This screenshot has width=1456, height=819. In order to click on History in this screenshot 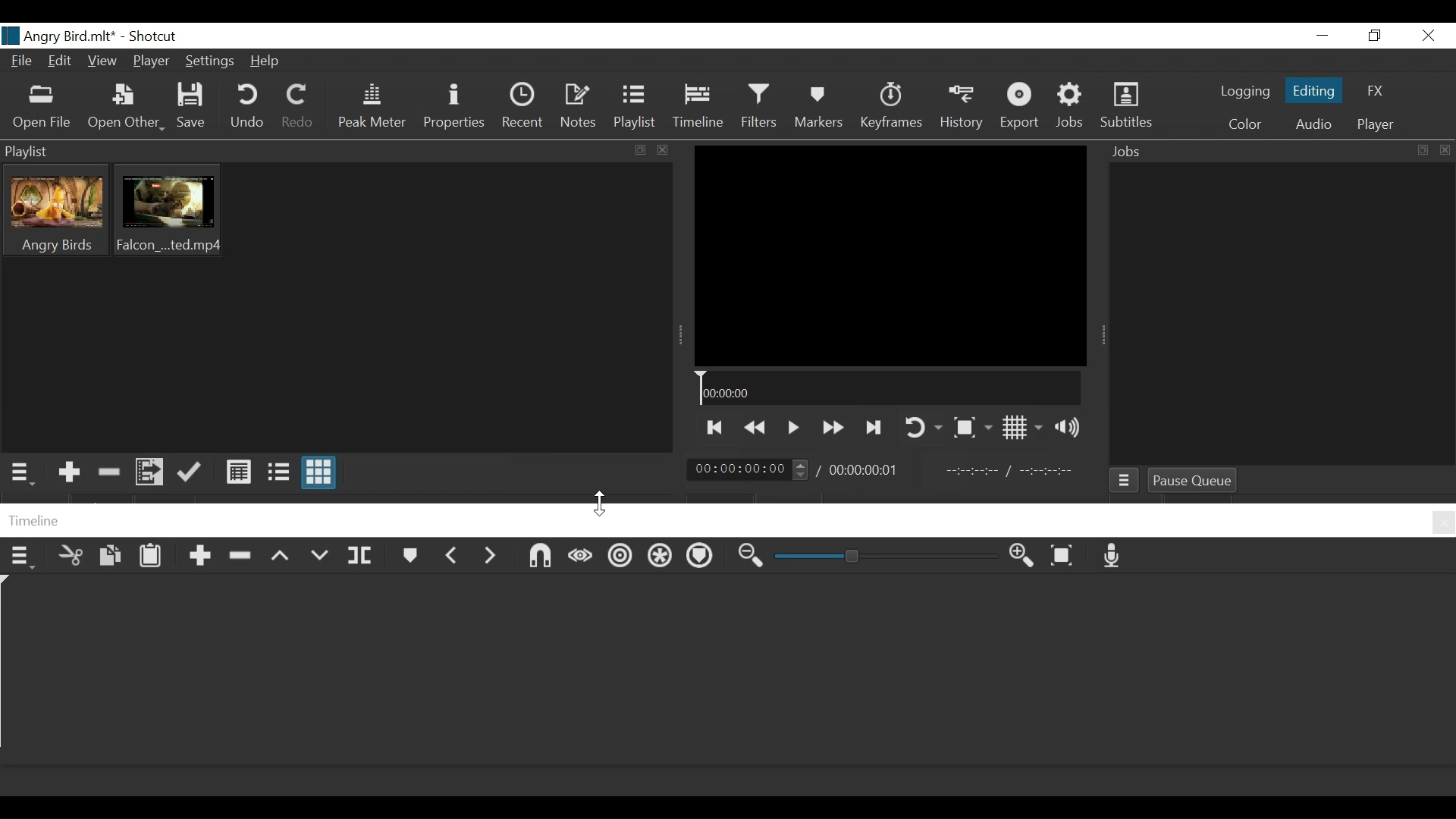, I will do `click(961, 106)`.